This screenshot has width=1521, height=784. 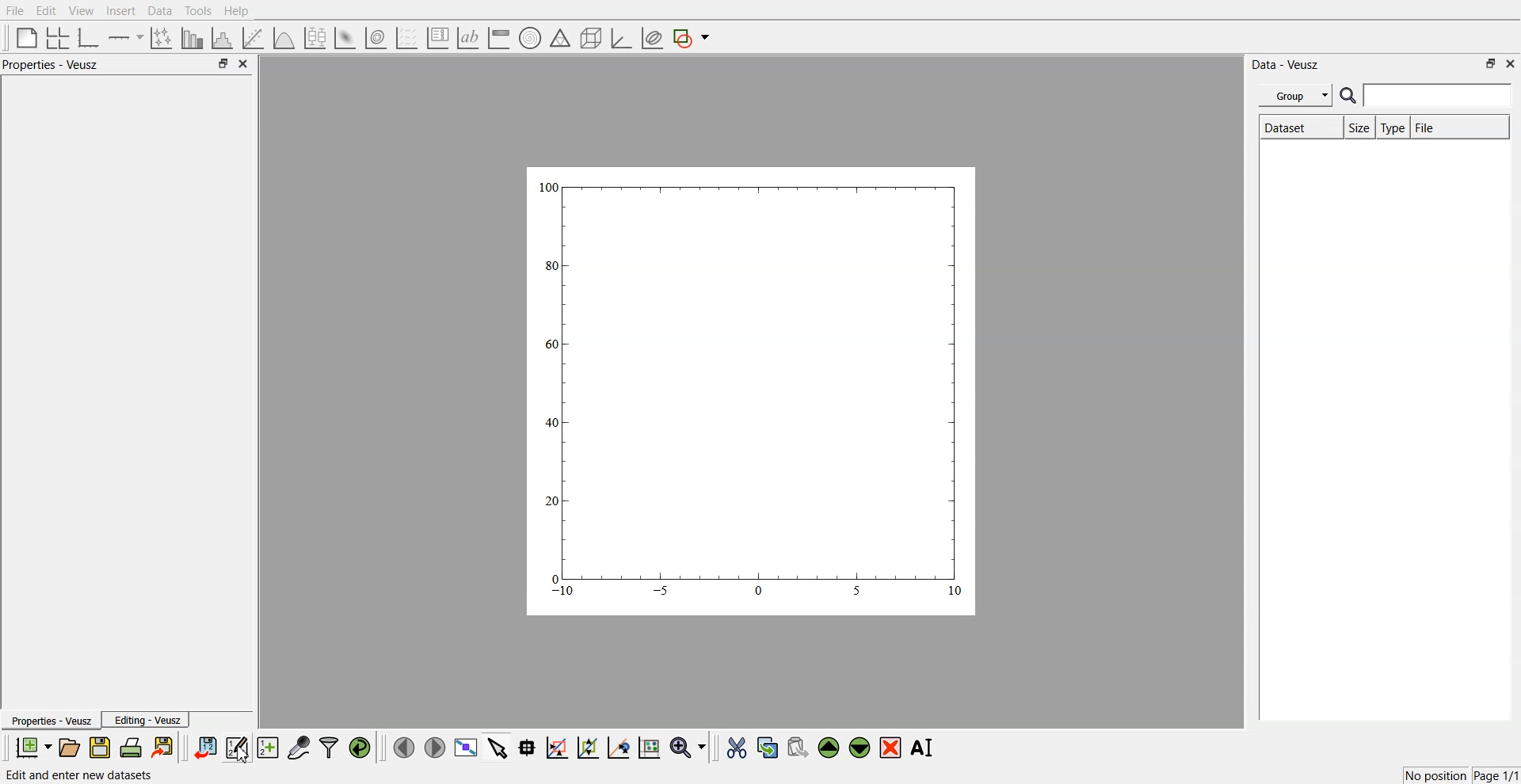 What do you see at coordinates (237, 749) in the screenshot?
I see `edit and enter data points` at bounding box center [237, 749].